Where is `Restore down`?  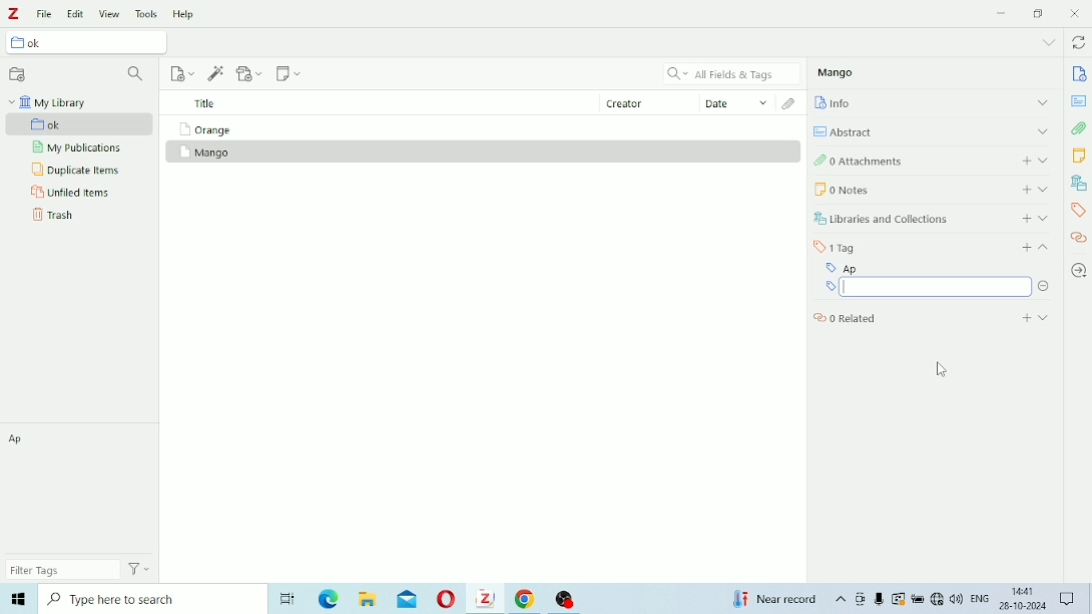 Restore down is located at coordinates (1039, 15).